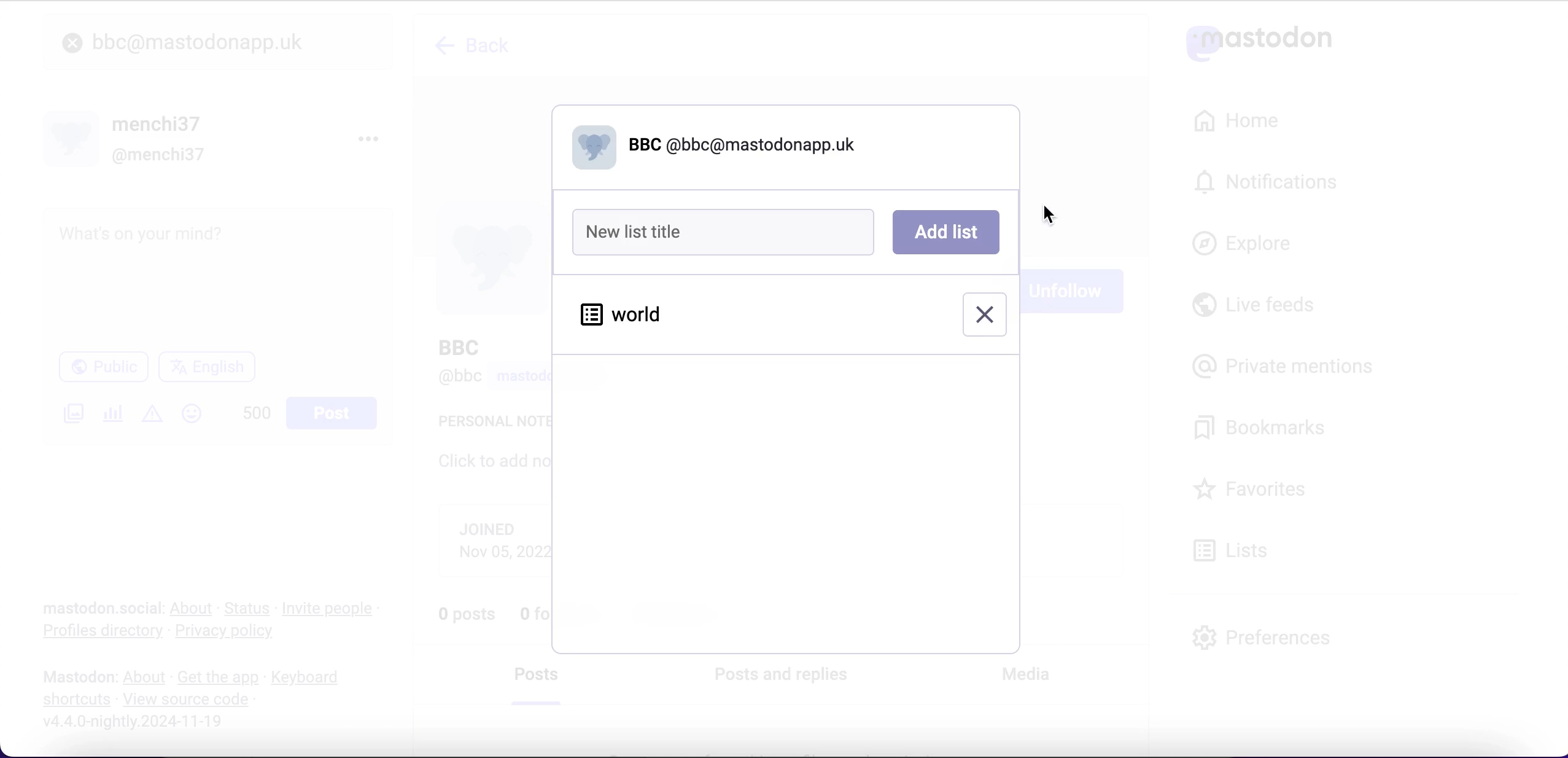 The width and height of the screenshot is (1568, 758). I want to click on mastodon social, so click(86, 609).